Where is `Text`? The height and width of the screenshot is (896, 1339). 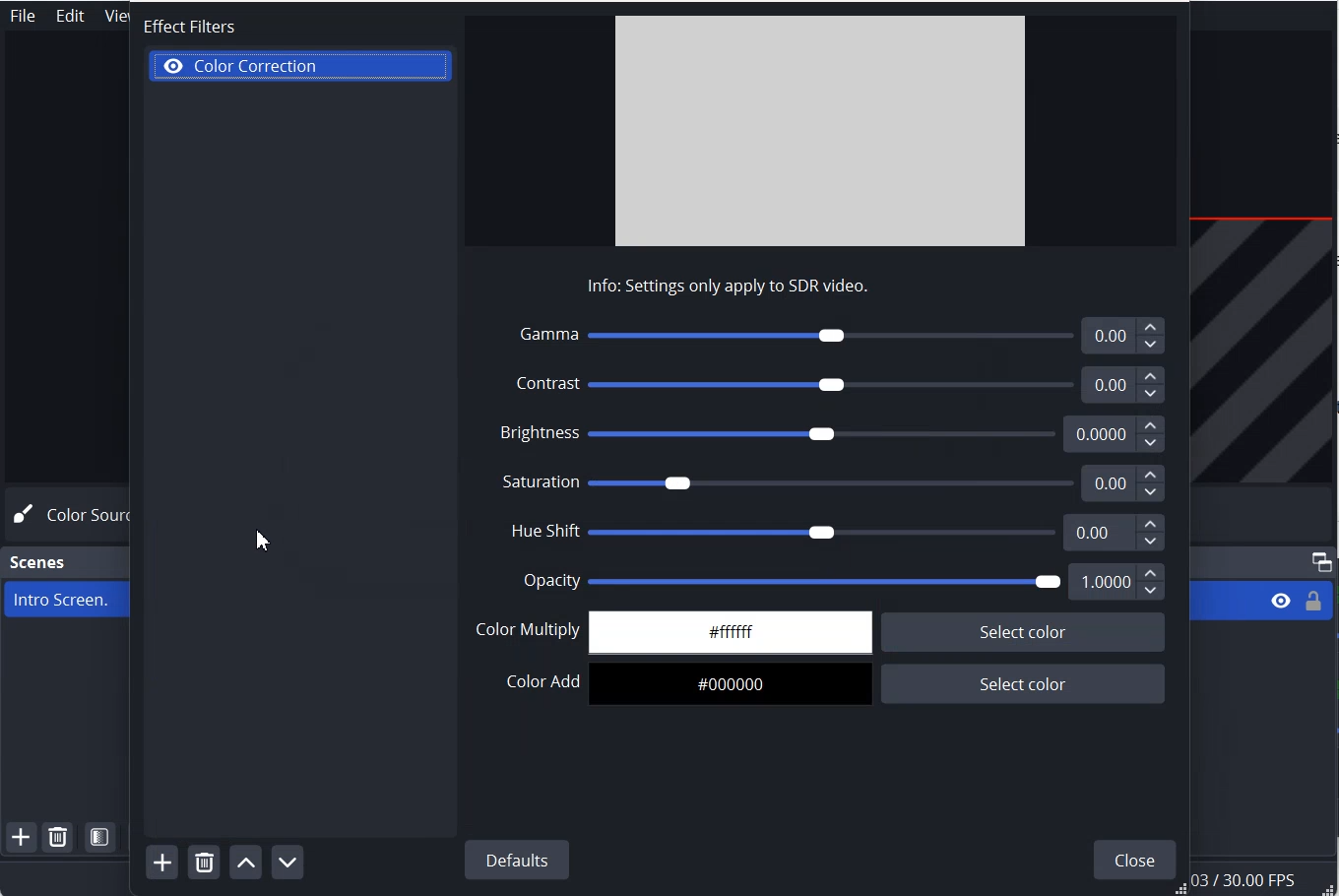
Text is located at coordinates (177, 23).